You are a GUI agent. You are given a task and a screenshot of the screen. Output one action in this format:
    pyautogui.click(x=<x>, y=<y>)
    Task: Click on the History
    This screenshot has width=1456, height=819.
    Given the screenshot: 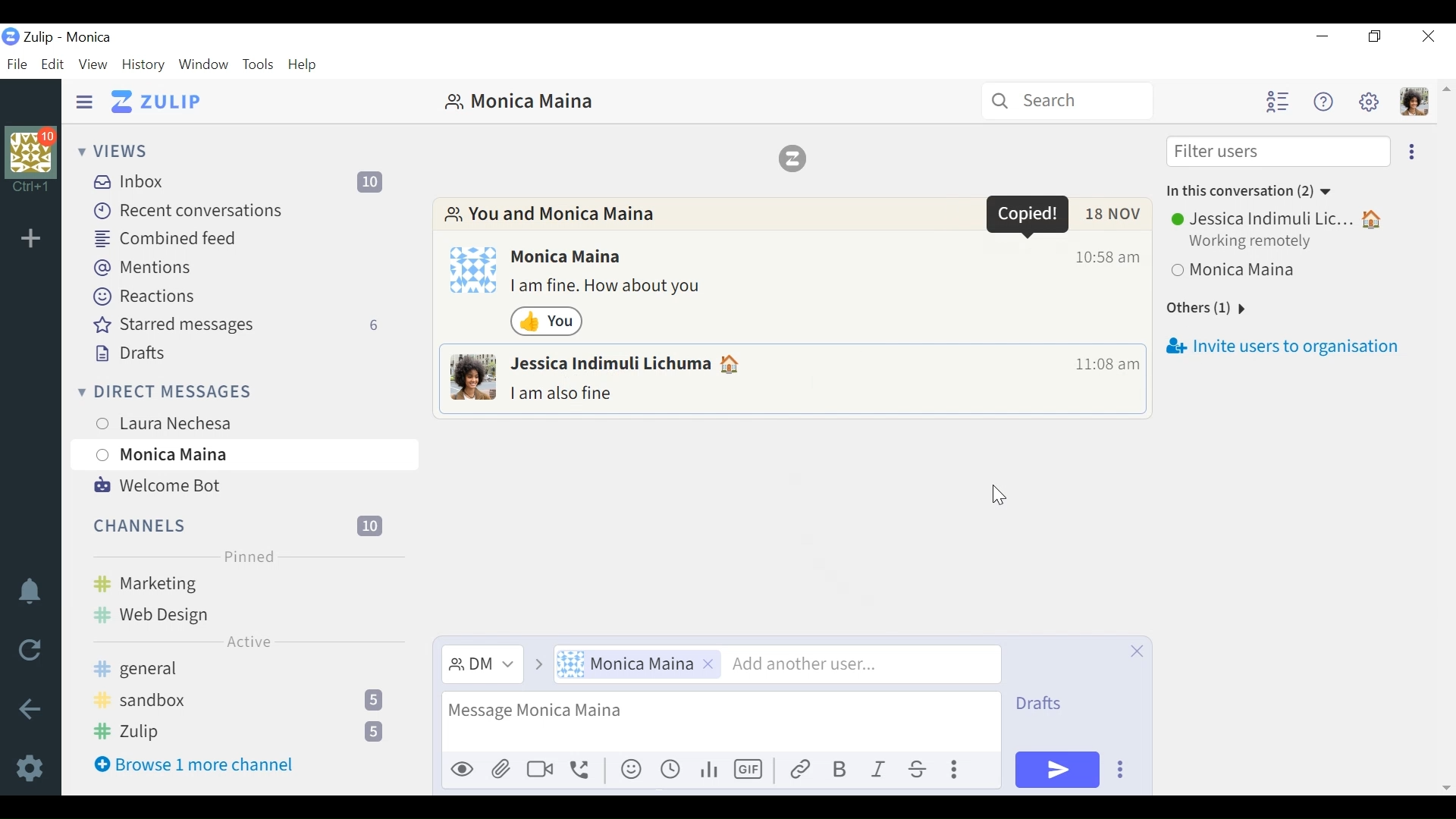 What is the action you would take?
    pyautogui.click(x=146, y=65)
    